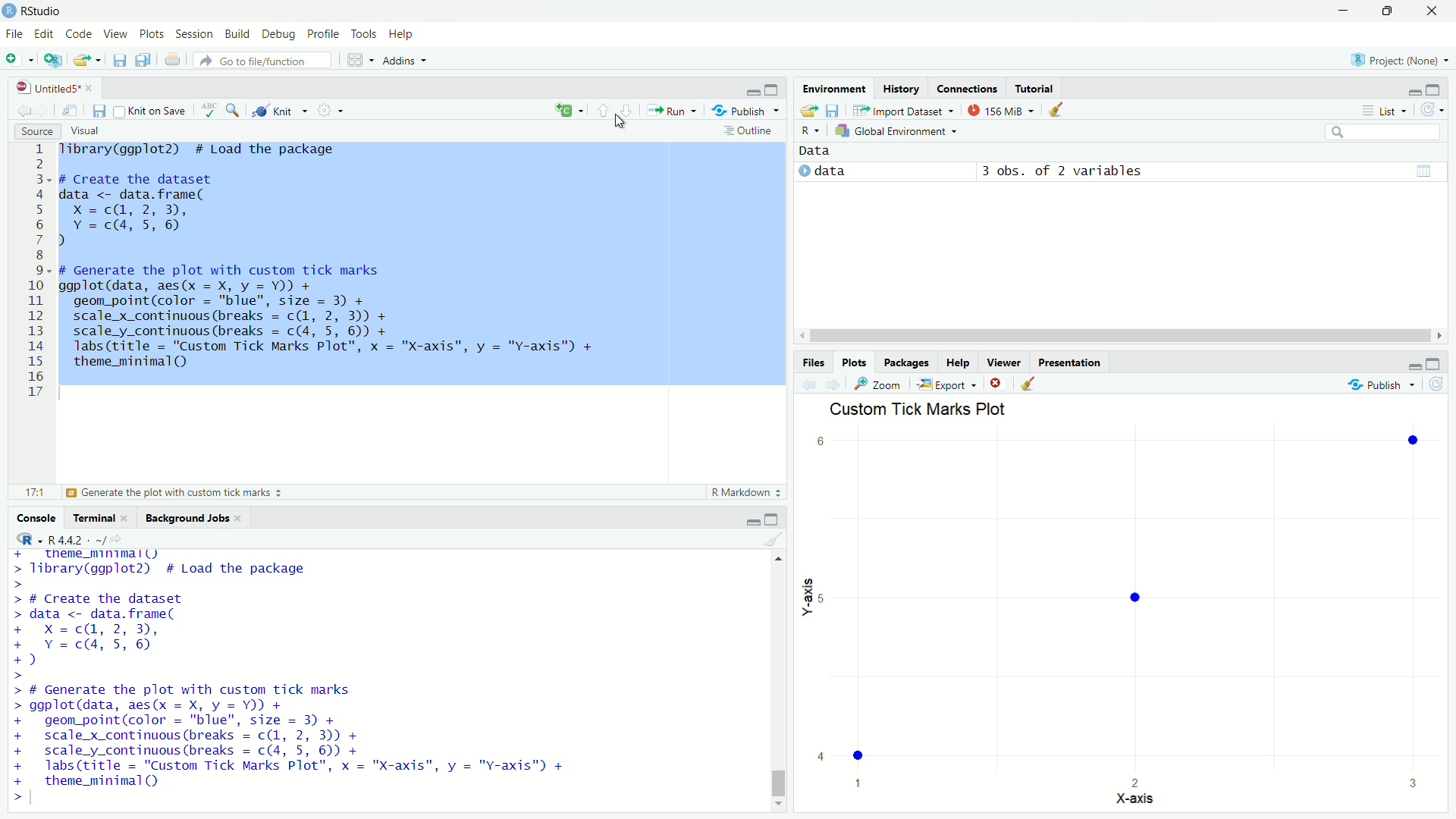  What do you see at coordinates (262, 60) in the screenshot?
I see `go to file/function` at bounding box center [262, 60].